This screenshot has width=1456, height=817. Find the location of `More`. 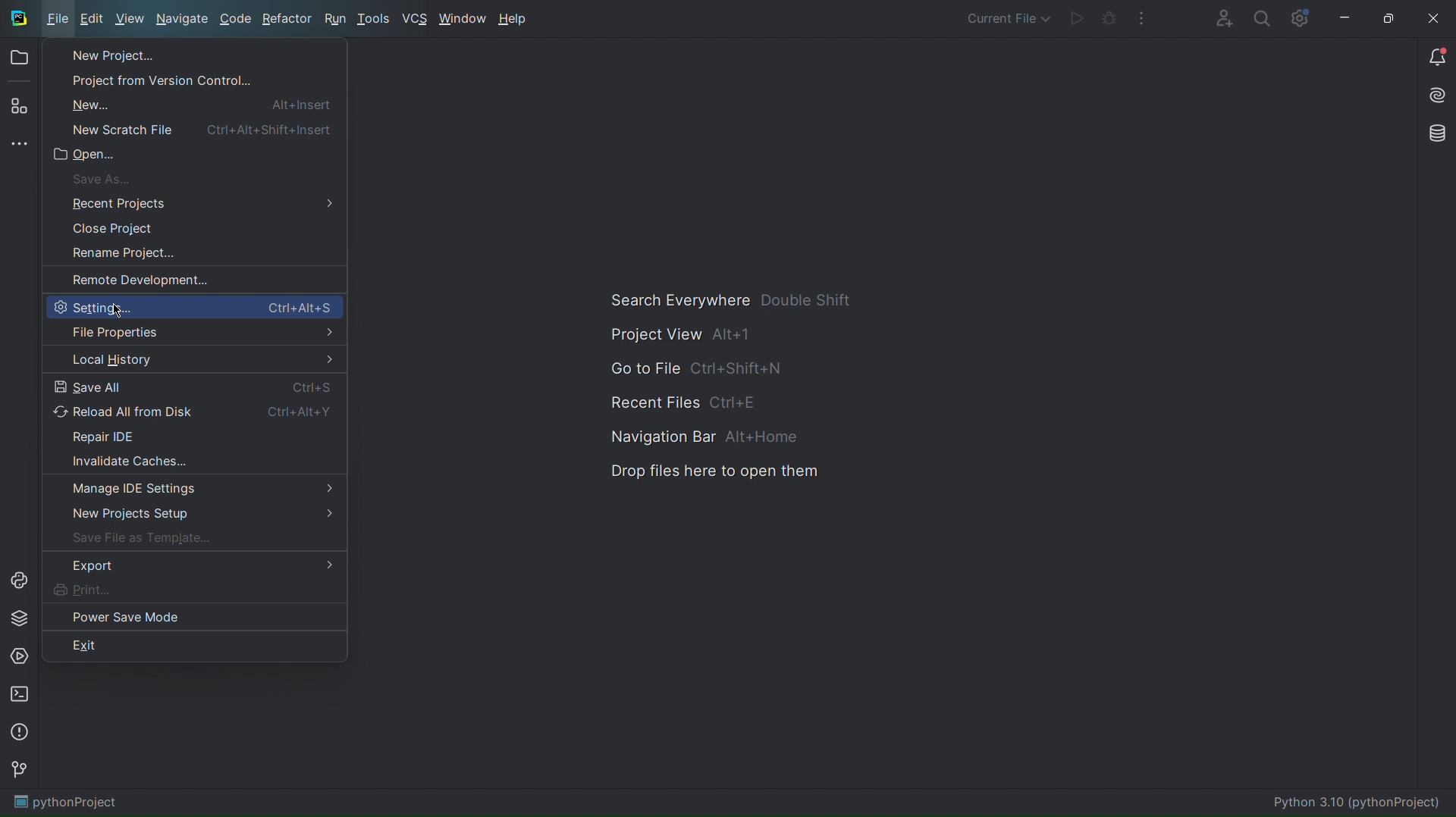

More is located at coordinates (17, 146).